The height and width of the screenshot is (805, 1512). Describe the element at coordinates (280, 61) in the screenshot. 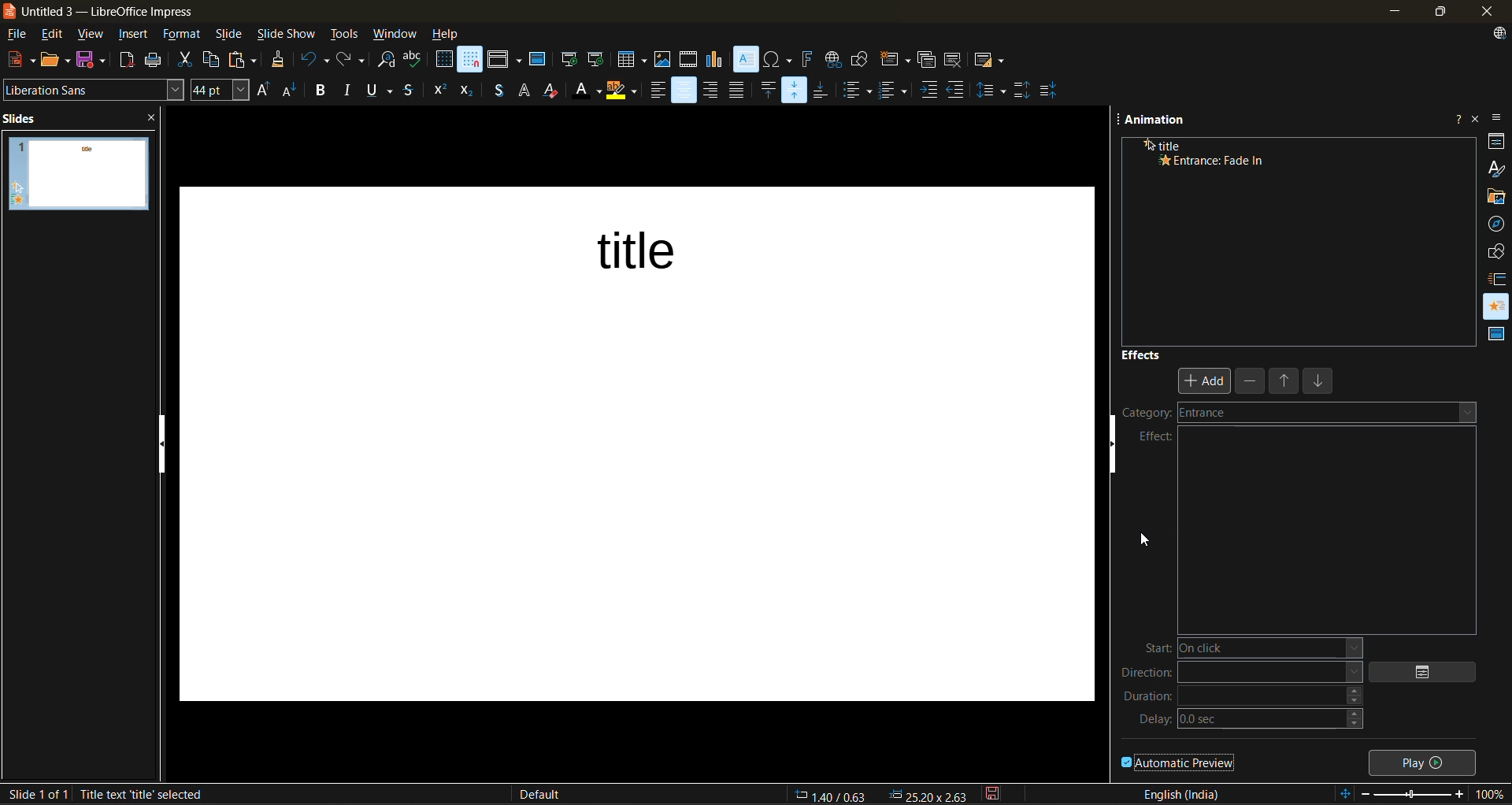

I see `clone formatting` at that location.